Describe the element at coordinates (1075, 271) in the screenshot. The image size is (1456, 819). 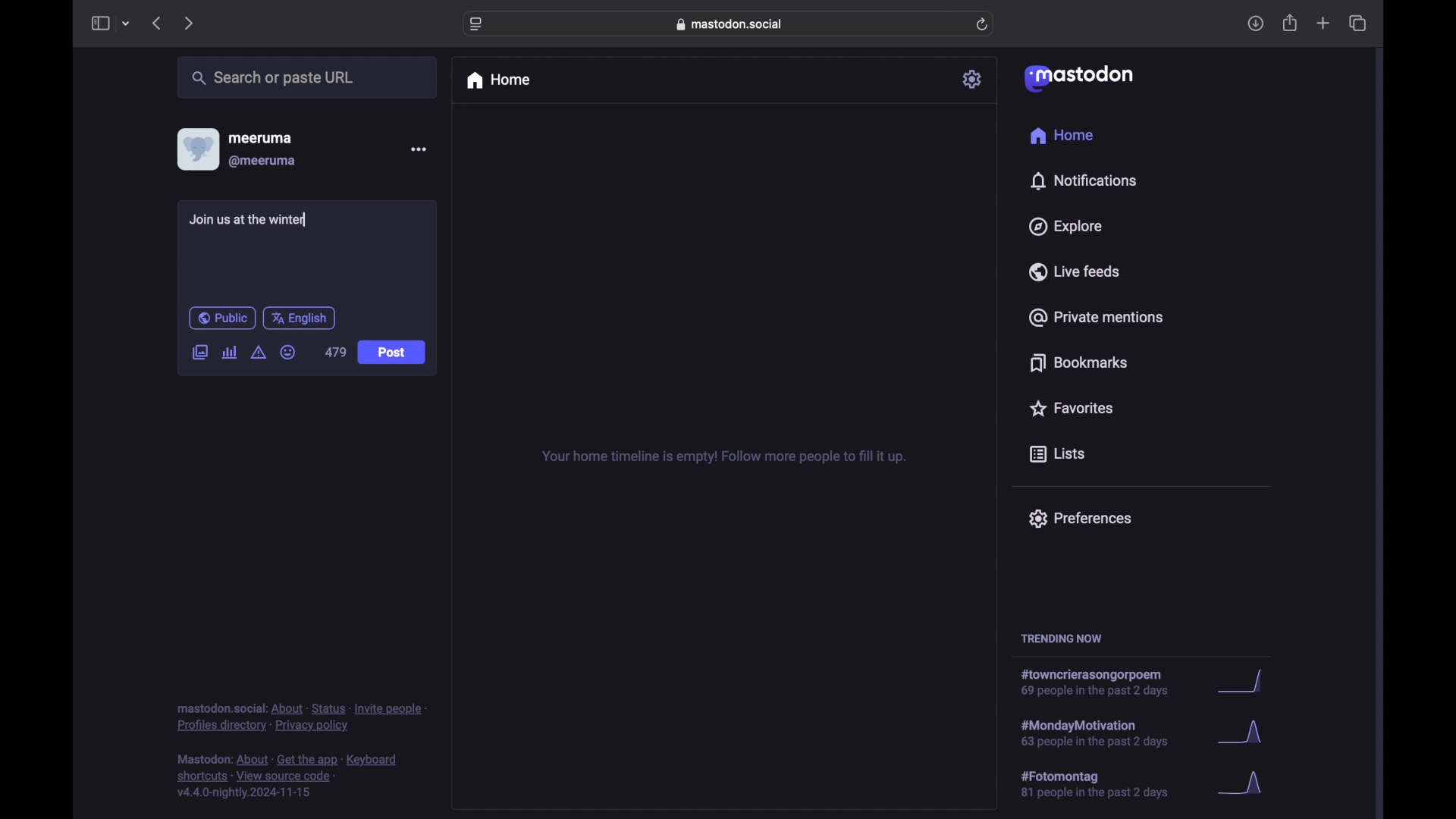
I see `live feeds` at that location.